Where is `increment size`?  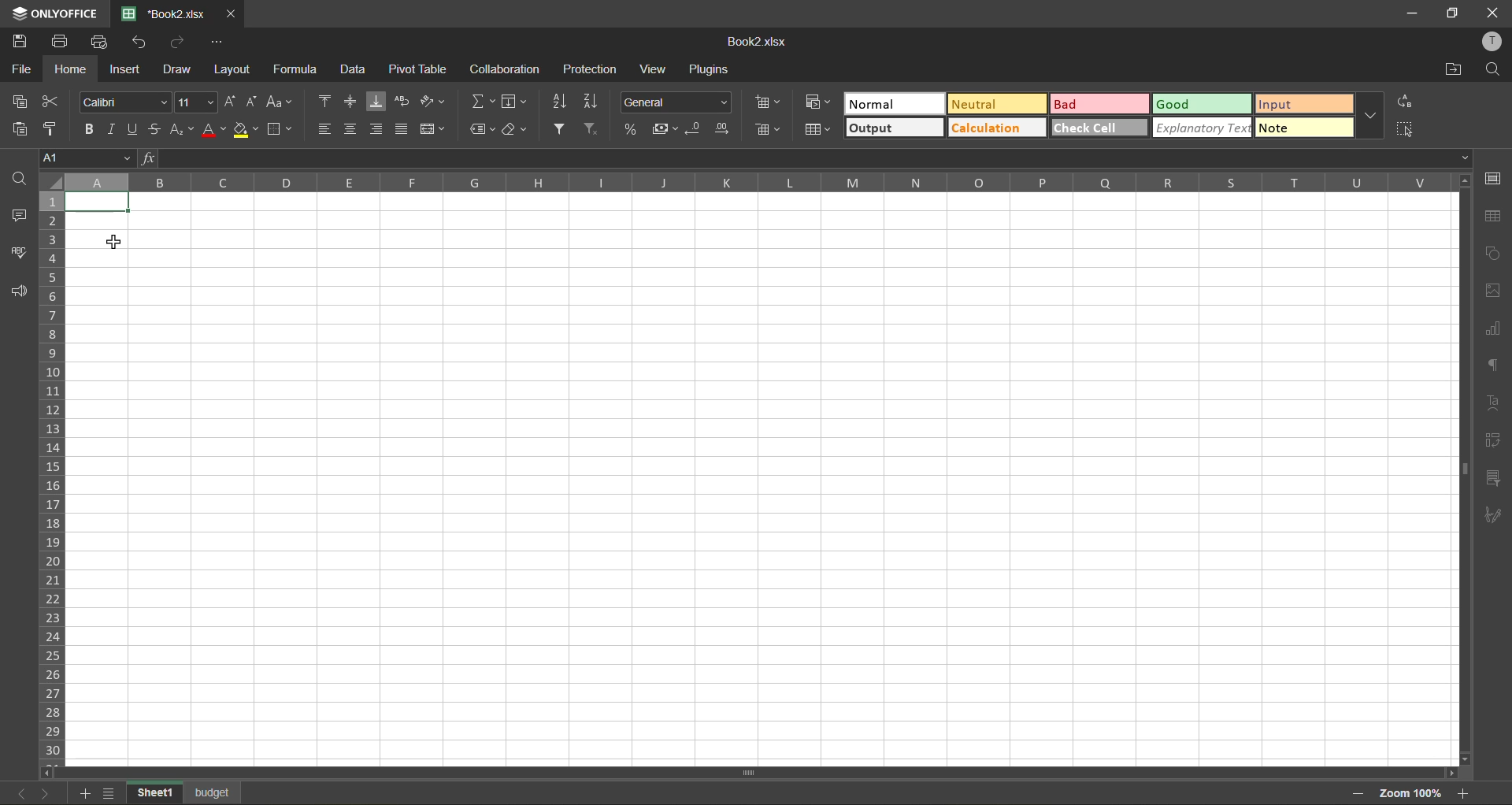
increment size is located at coordinates (228, 102).